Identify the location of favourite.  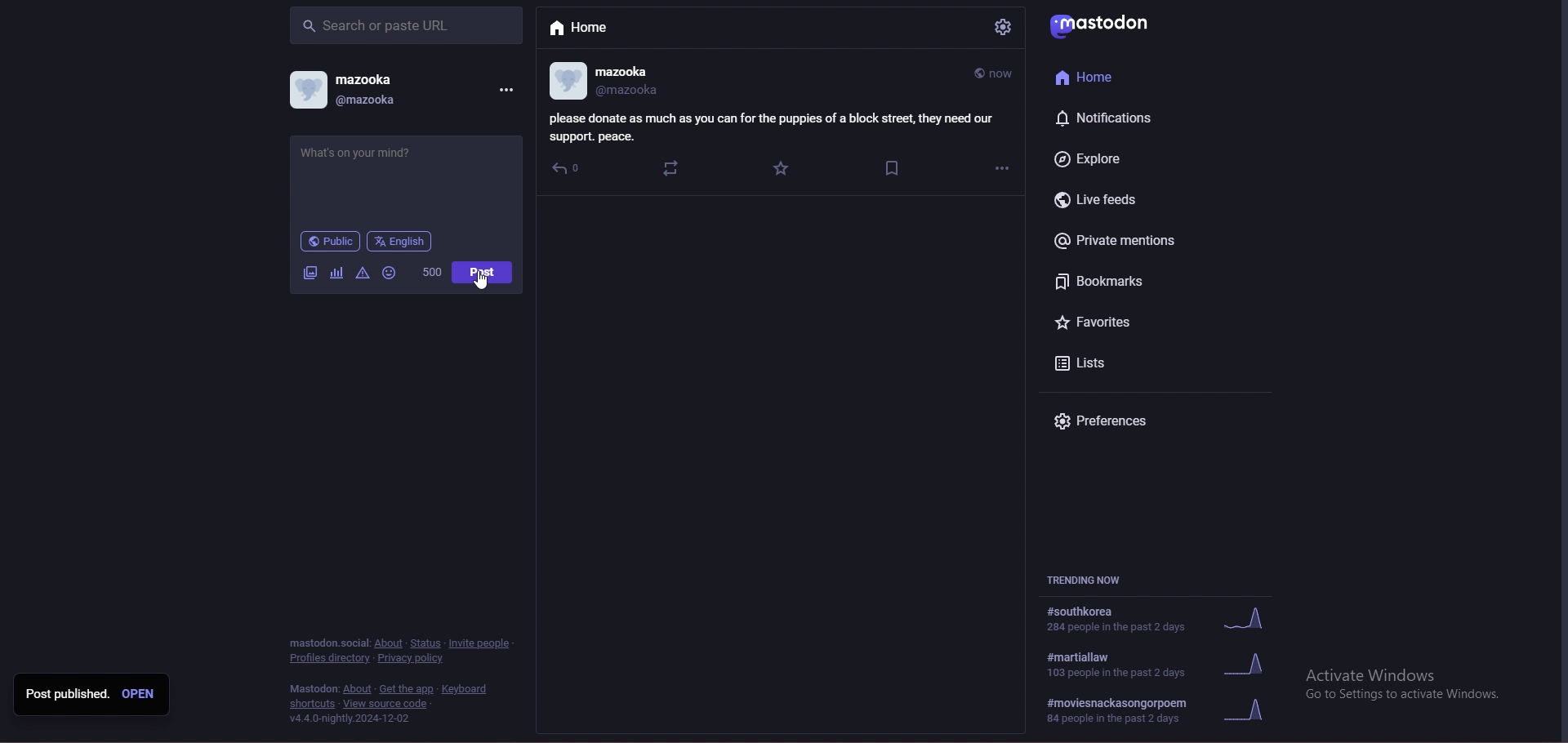
(782, 168).